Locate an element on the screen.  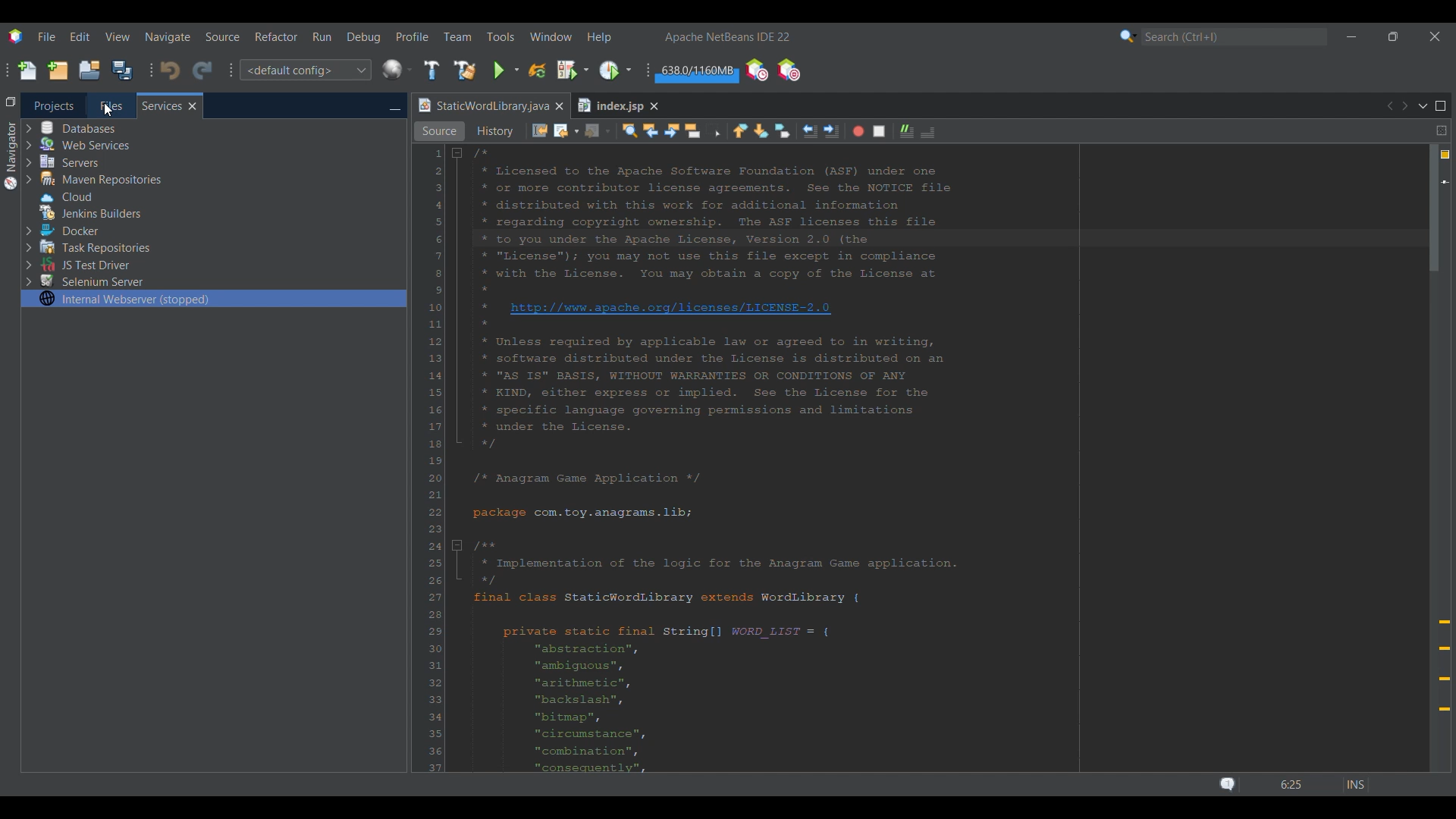
Markers is located at coordinates (1444, 666).